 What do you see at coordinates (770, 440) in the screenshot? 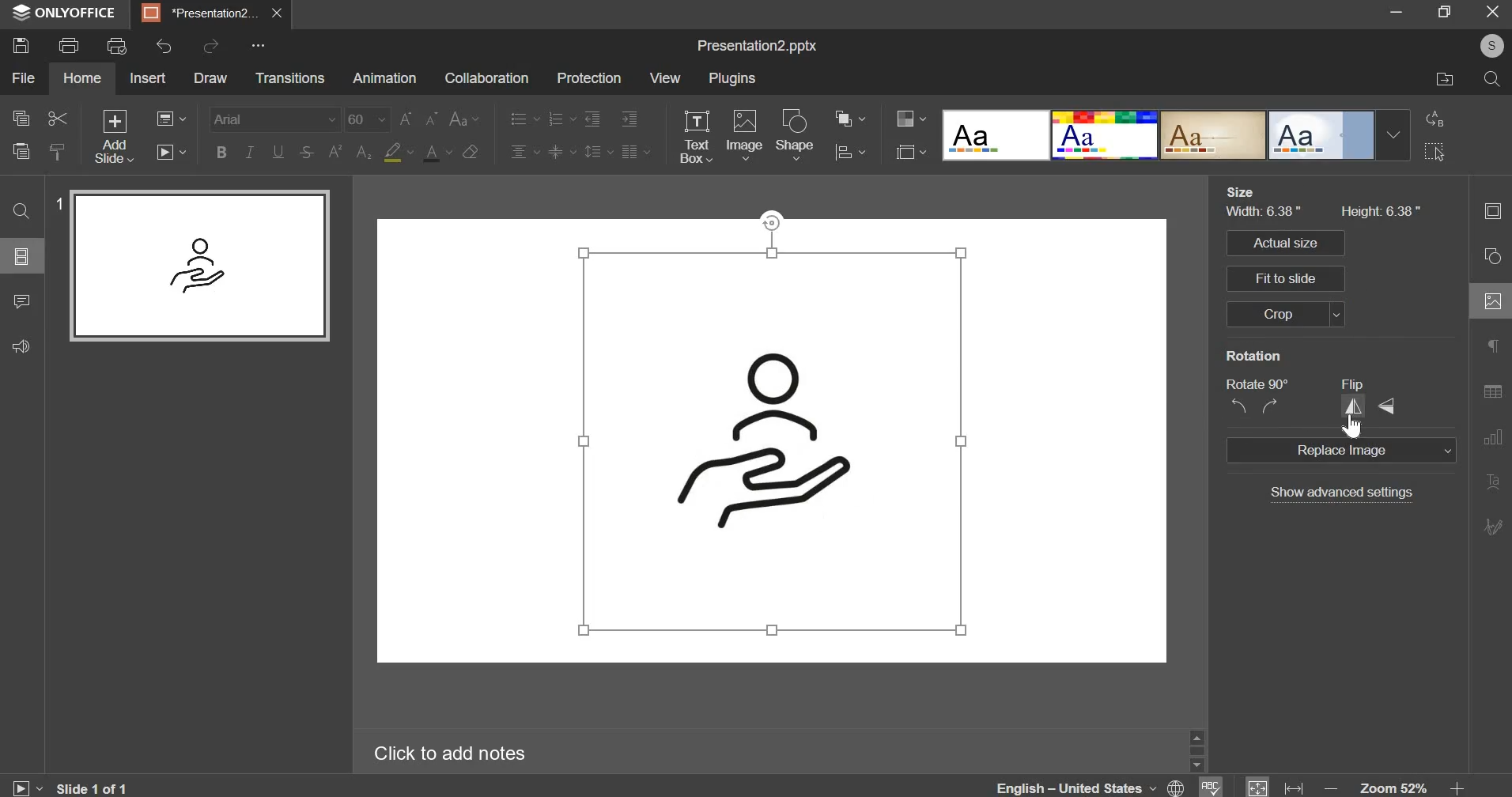
I see `slide` at bounding box center [770, 440].